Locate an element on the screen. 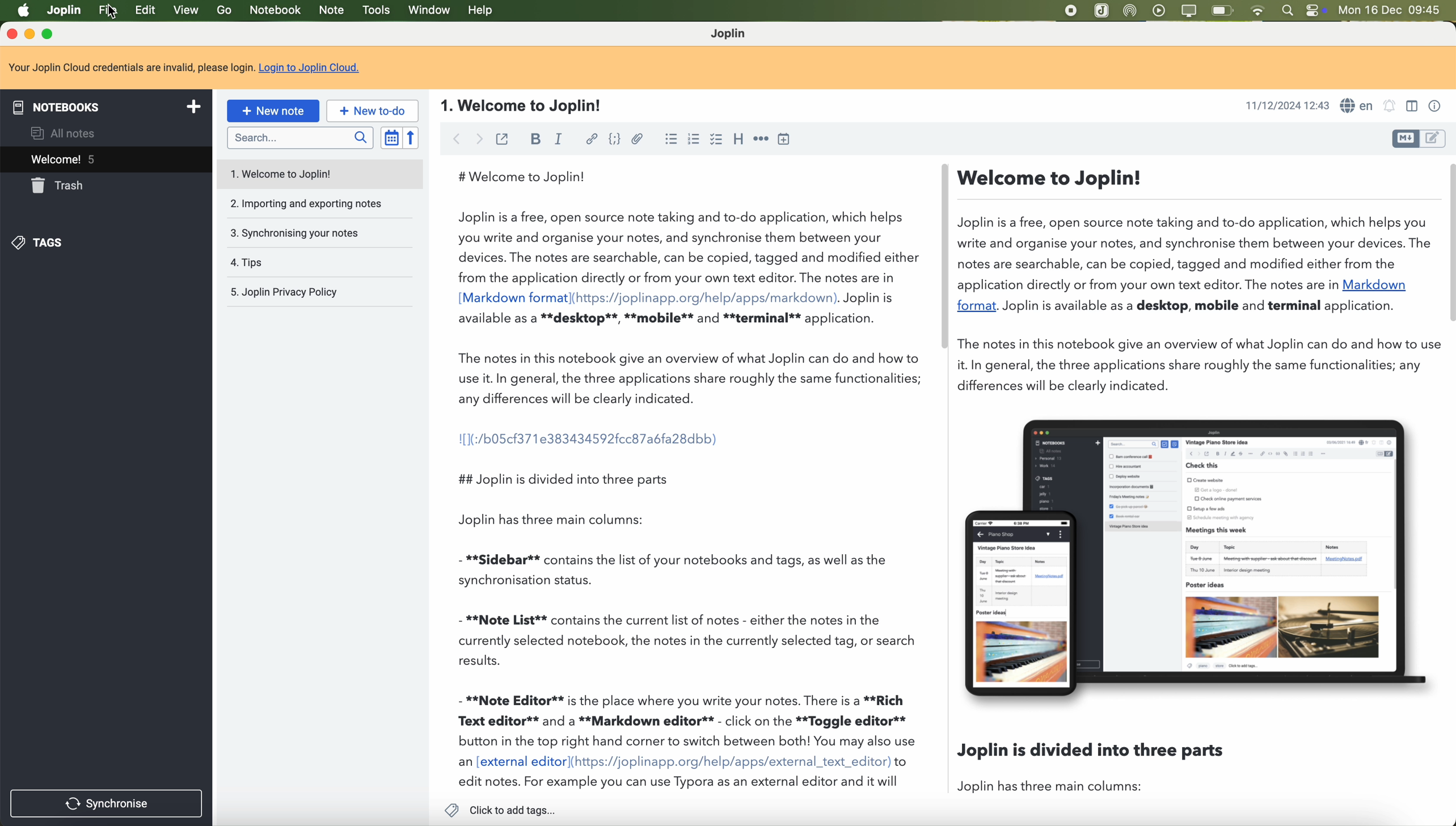 This screenshot has height=826, width=1456. Joplin is divided into three parts
Joplin has three main columns: is located at coordinates (1100, 772).